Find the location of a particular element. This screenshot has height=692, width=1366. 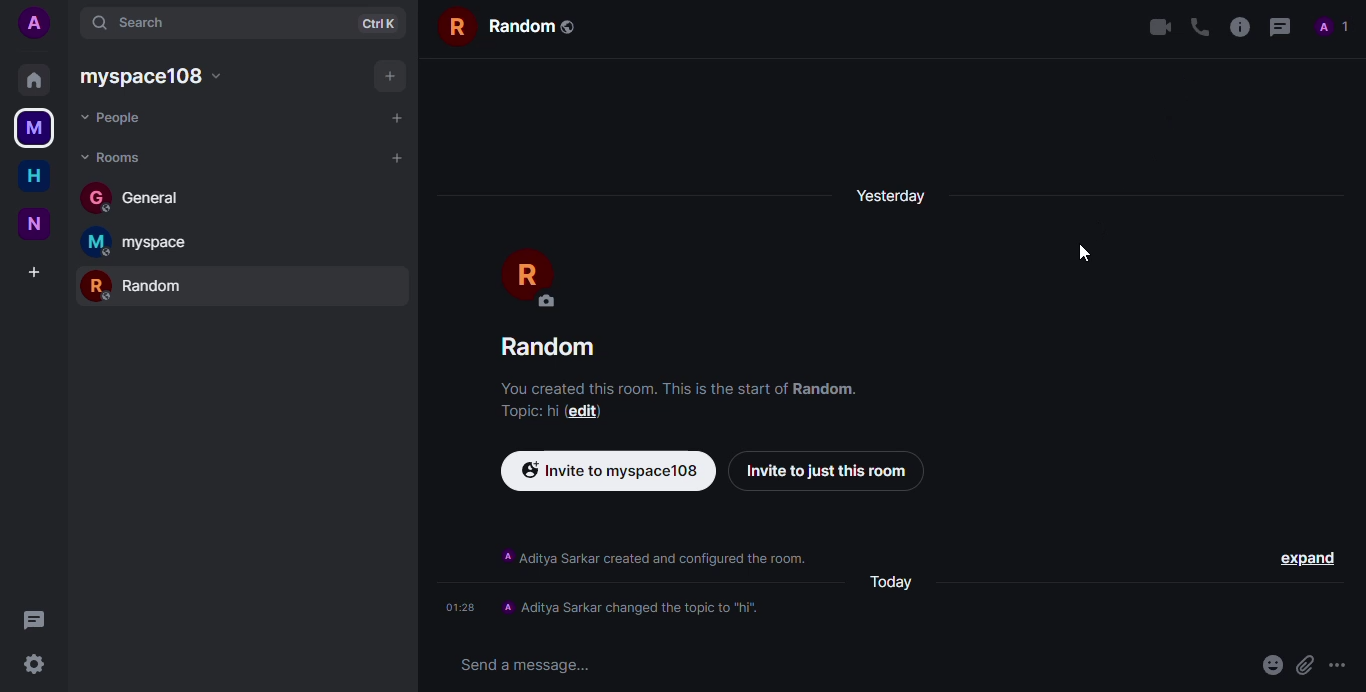

myspace is located at coordinates (157, 77).